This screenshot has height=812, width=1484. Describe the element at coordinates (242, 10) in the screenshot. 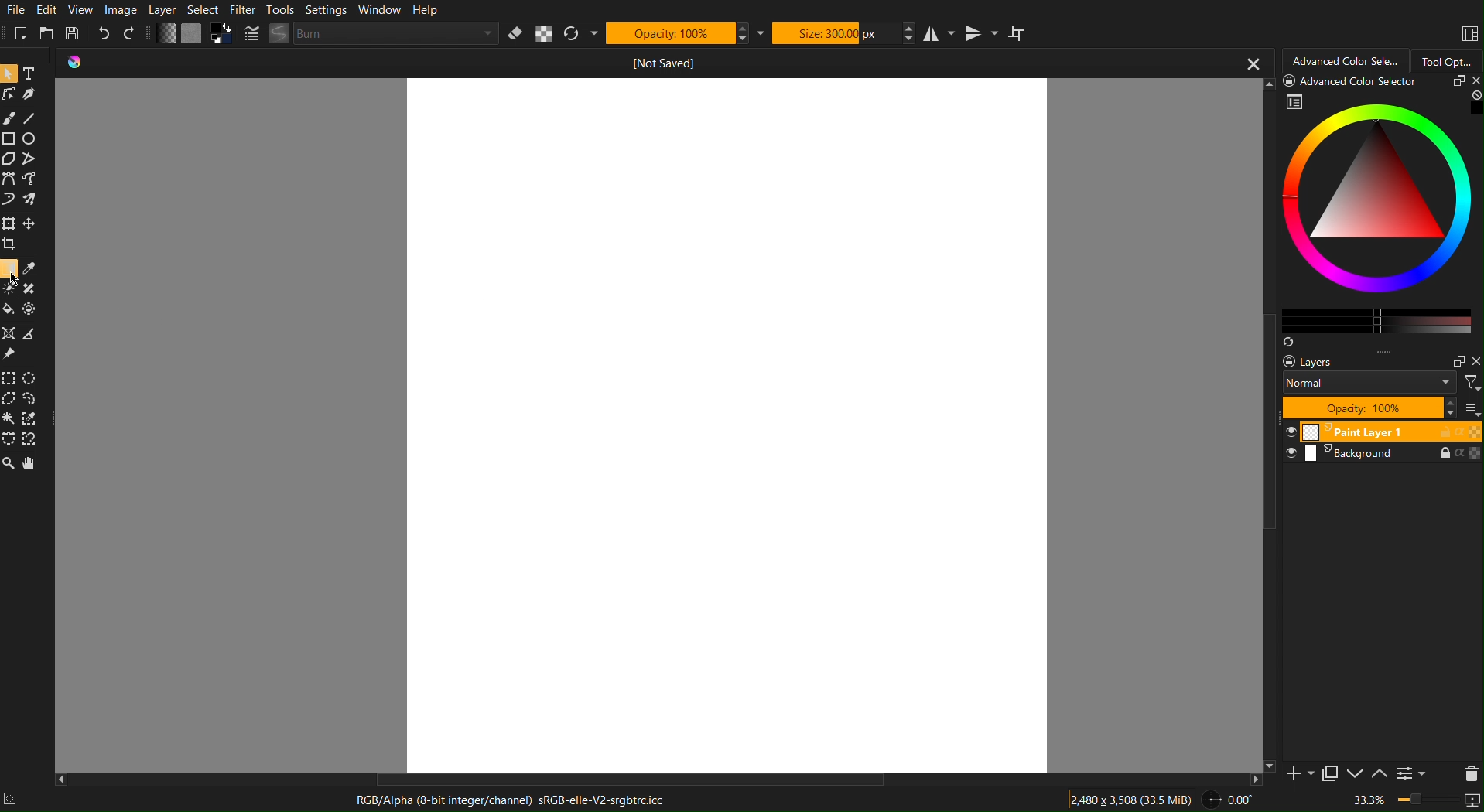

I see `Filter` at that location.